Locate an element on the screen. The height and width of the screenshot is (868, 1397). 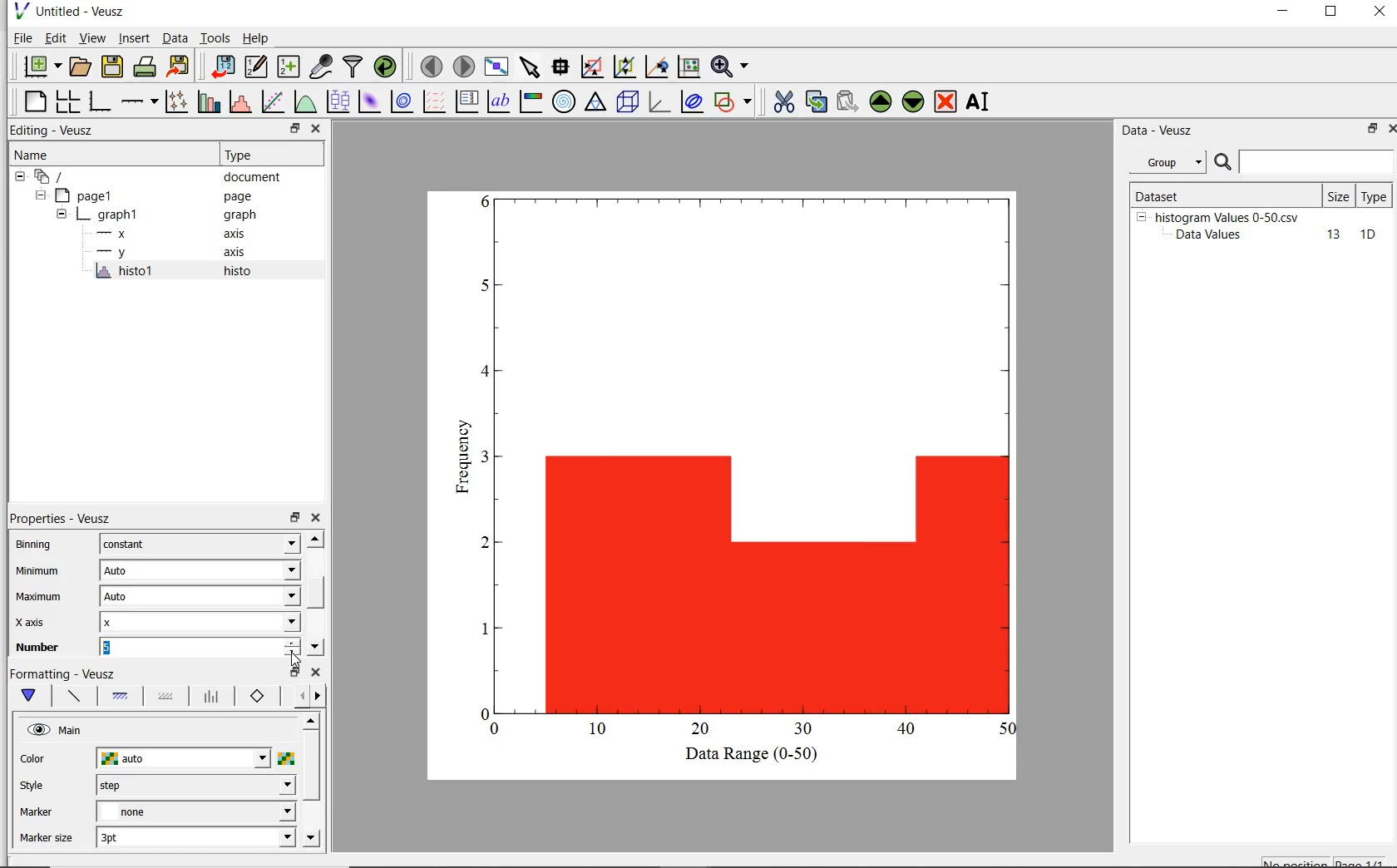
Minimum is located at coordinates (39, 572).